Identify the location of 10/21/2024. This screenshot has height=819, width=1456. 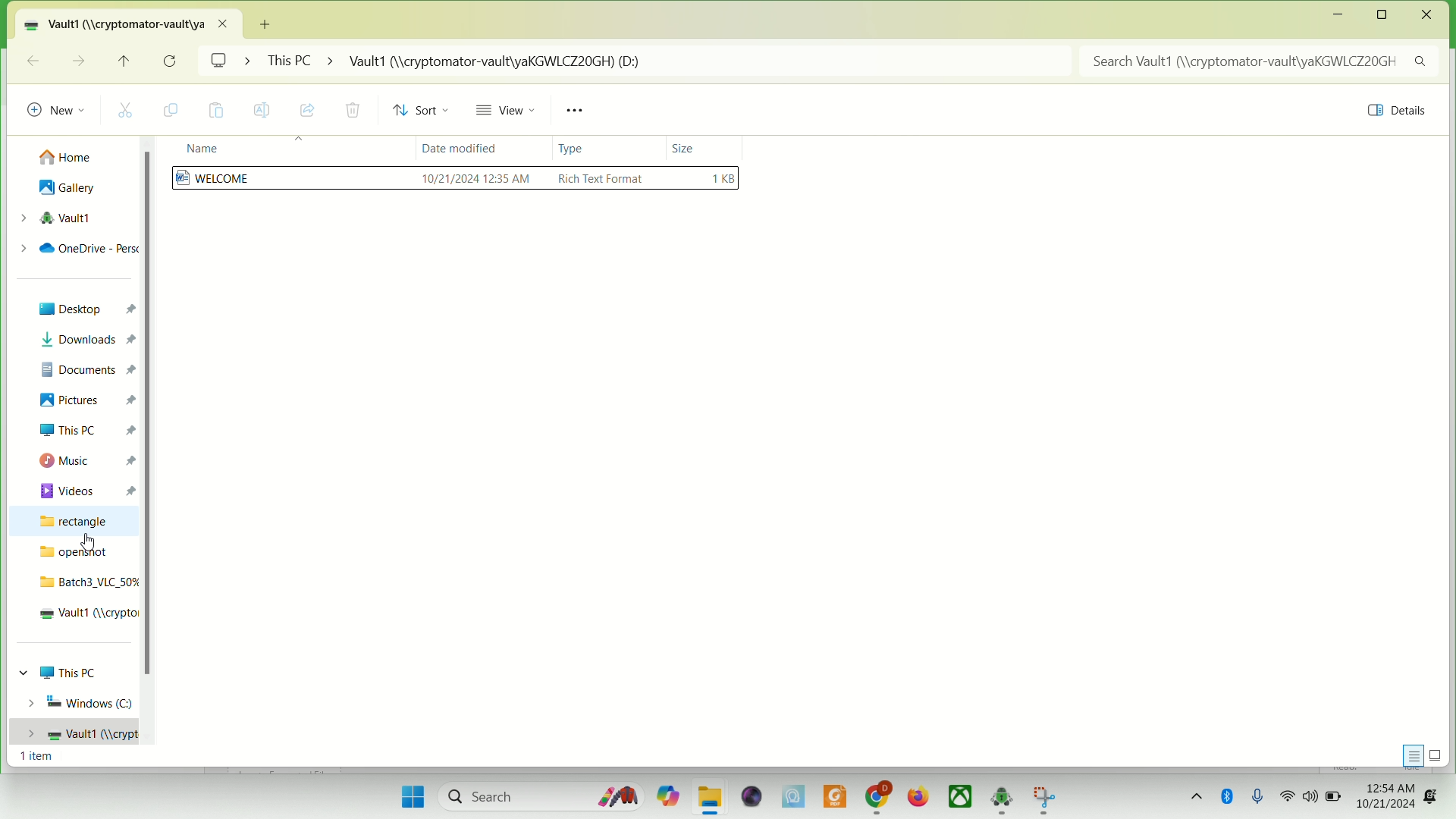
(1386, 806).